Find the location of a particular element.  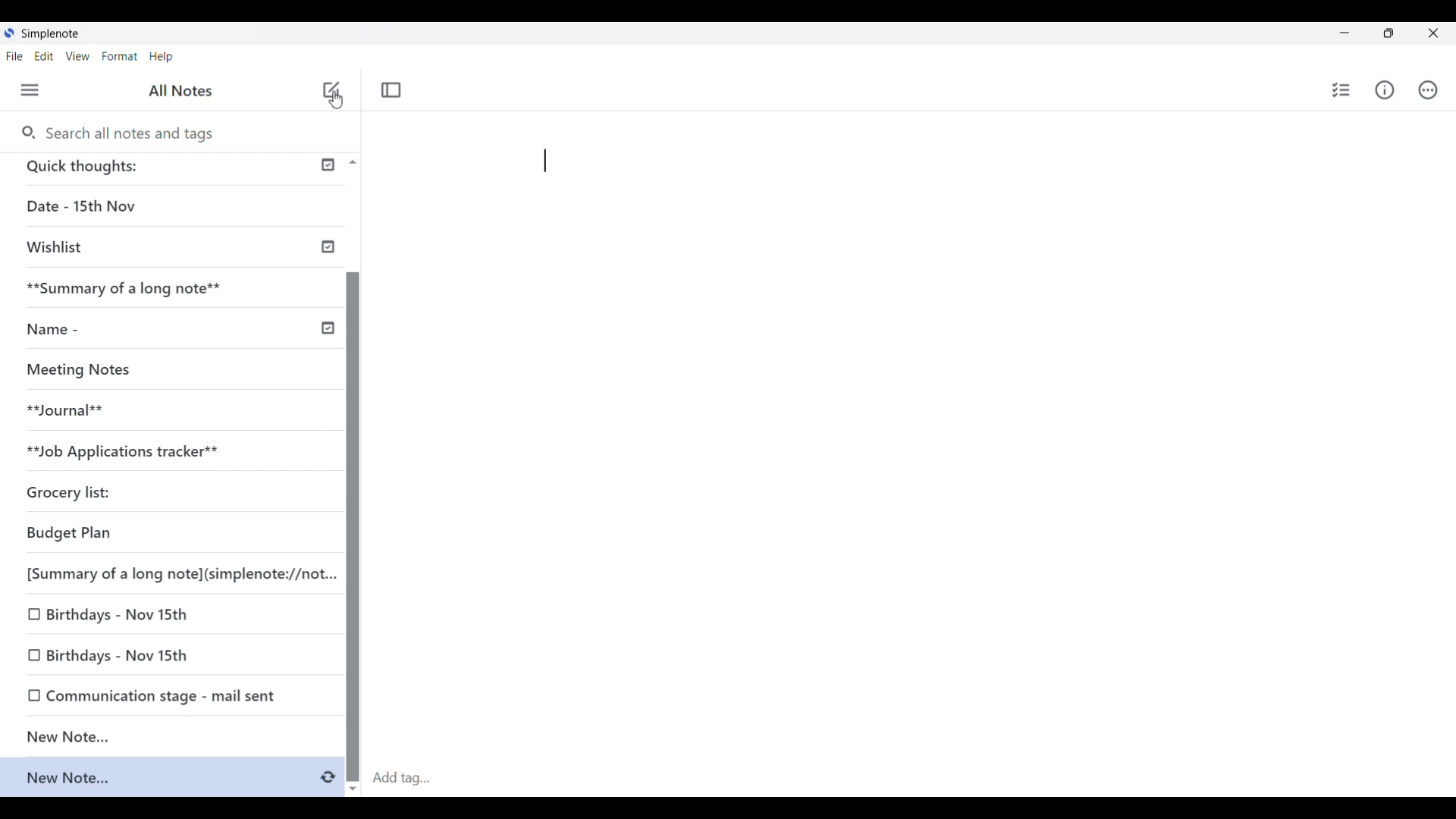

Pasting text is located at coordinates (545, 161).